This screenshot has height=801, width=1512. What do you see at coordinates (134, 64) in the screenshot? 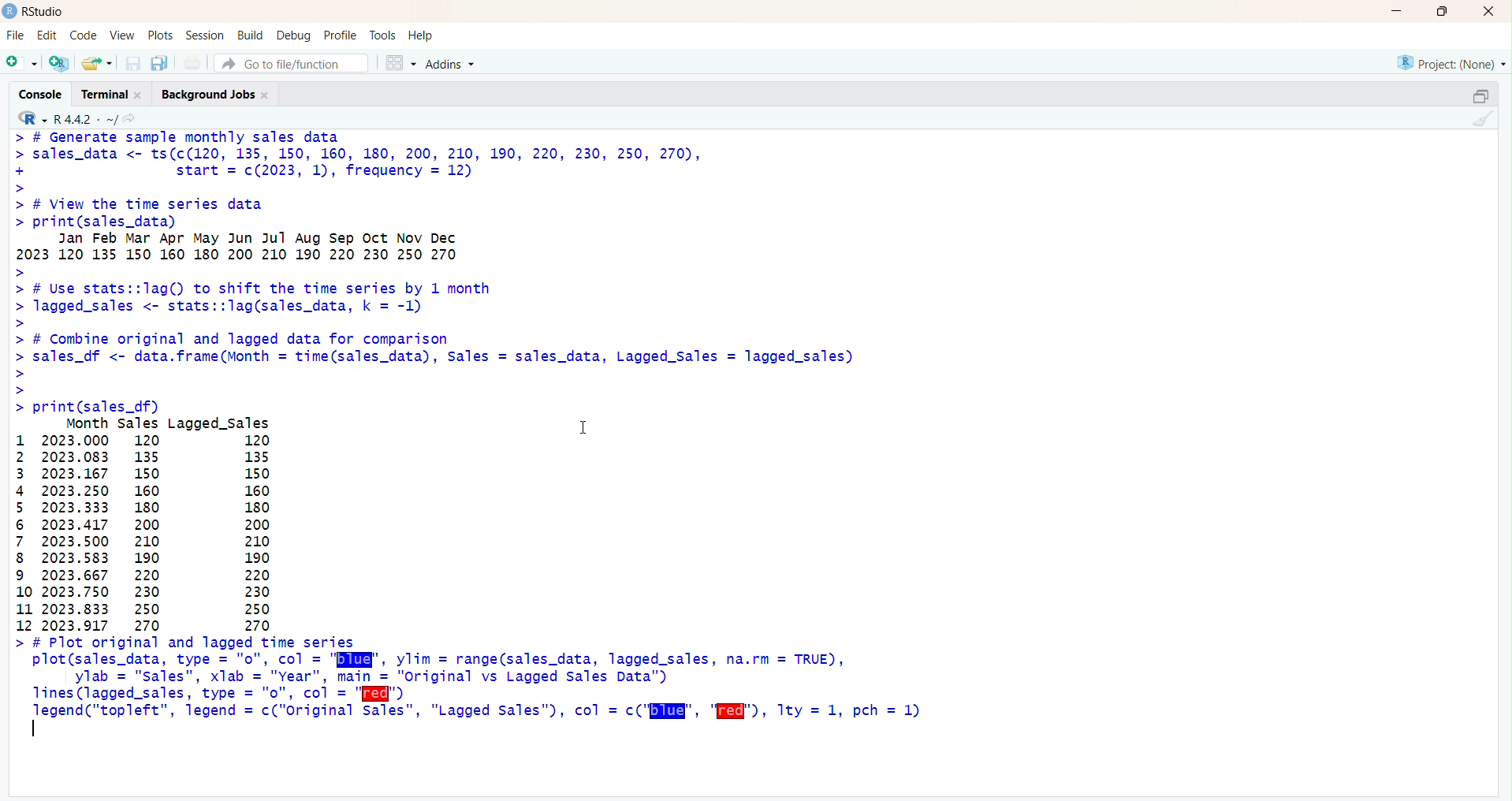
I see `save current document` at bounding box center [134, 64].